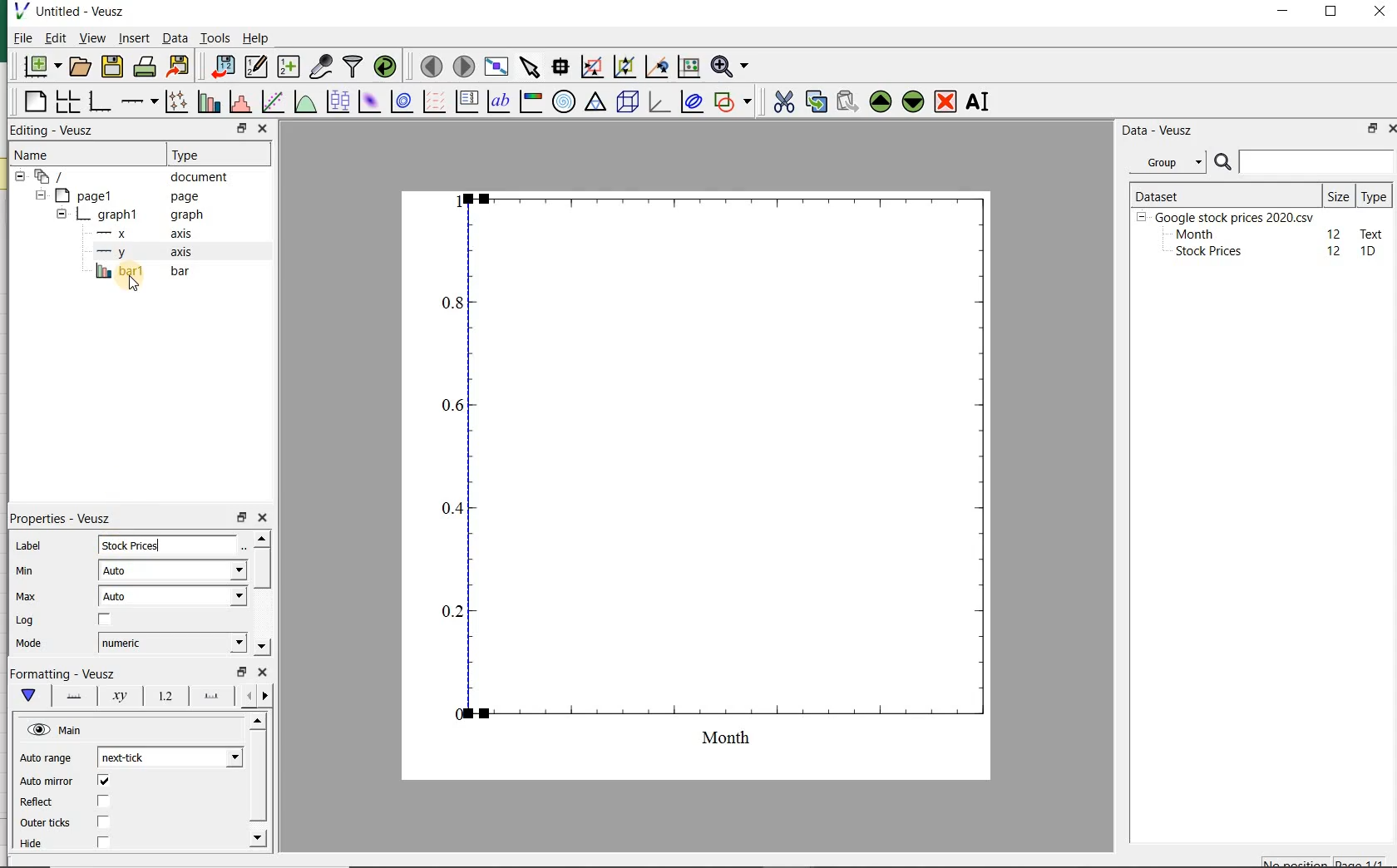 The image size is (1397, 868). What do you see at coordinates (220, 67) in the screenshot?
I see `import data into Veusz` at bounding box center [220, 67].